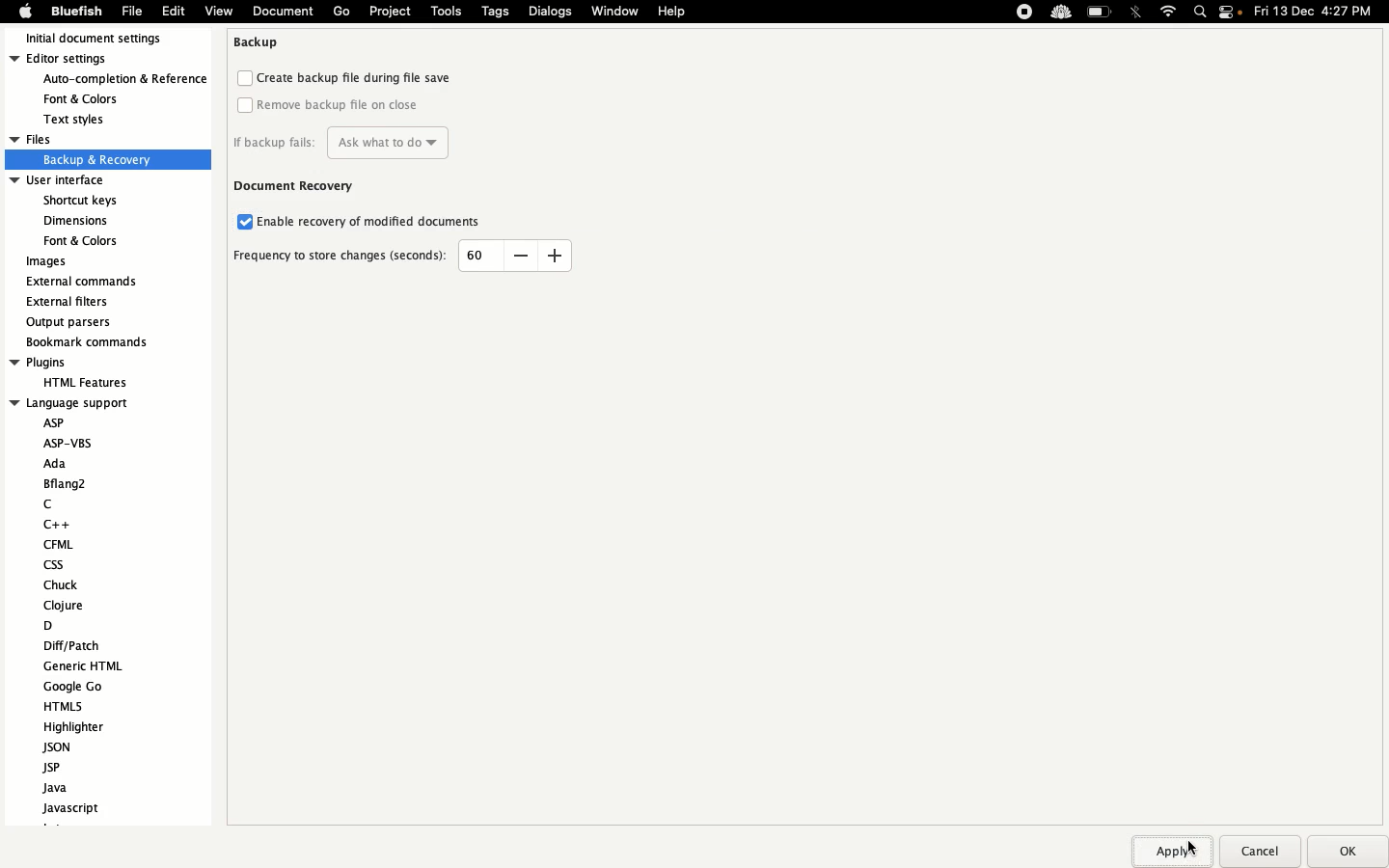  Describe the element at coordinates (342, 12) in the screenshot. I see `Go` at that location.